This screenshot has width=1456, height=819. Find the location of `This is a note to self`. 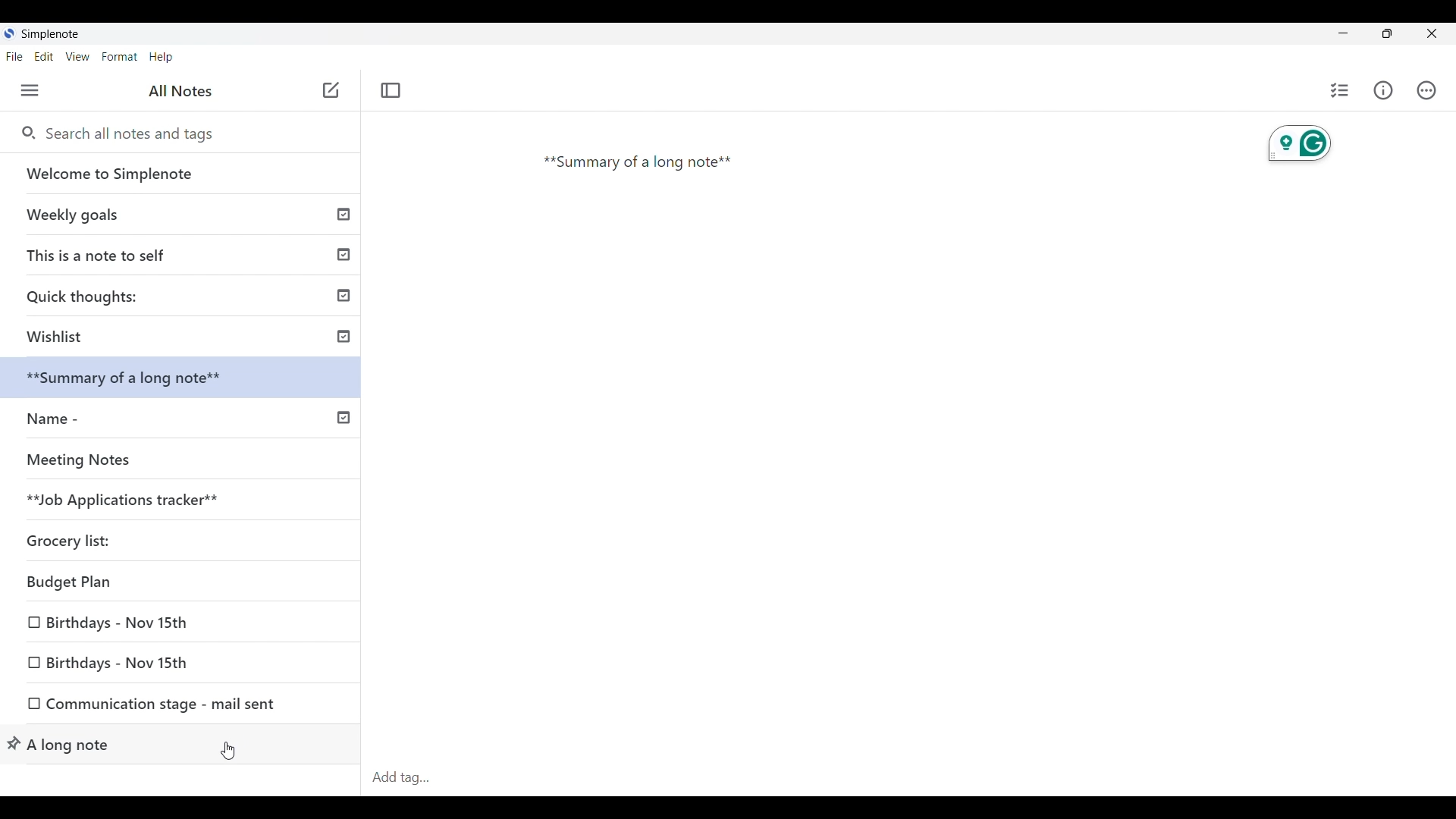

This is a note to self is located at coordinates (184, 252).